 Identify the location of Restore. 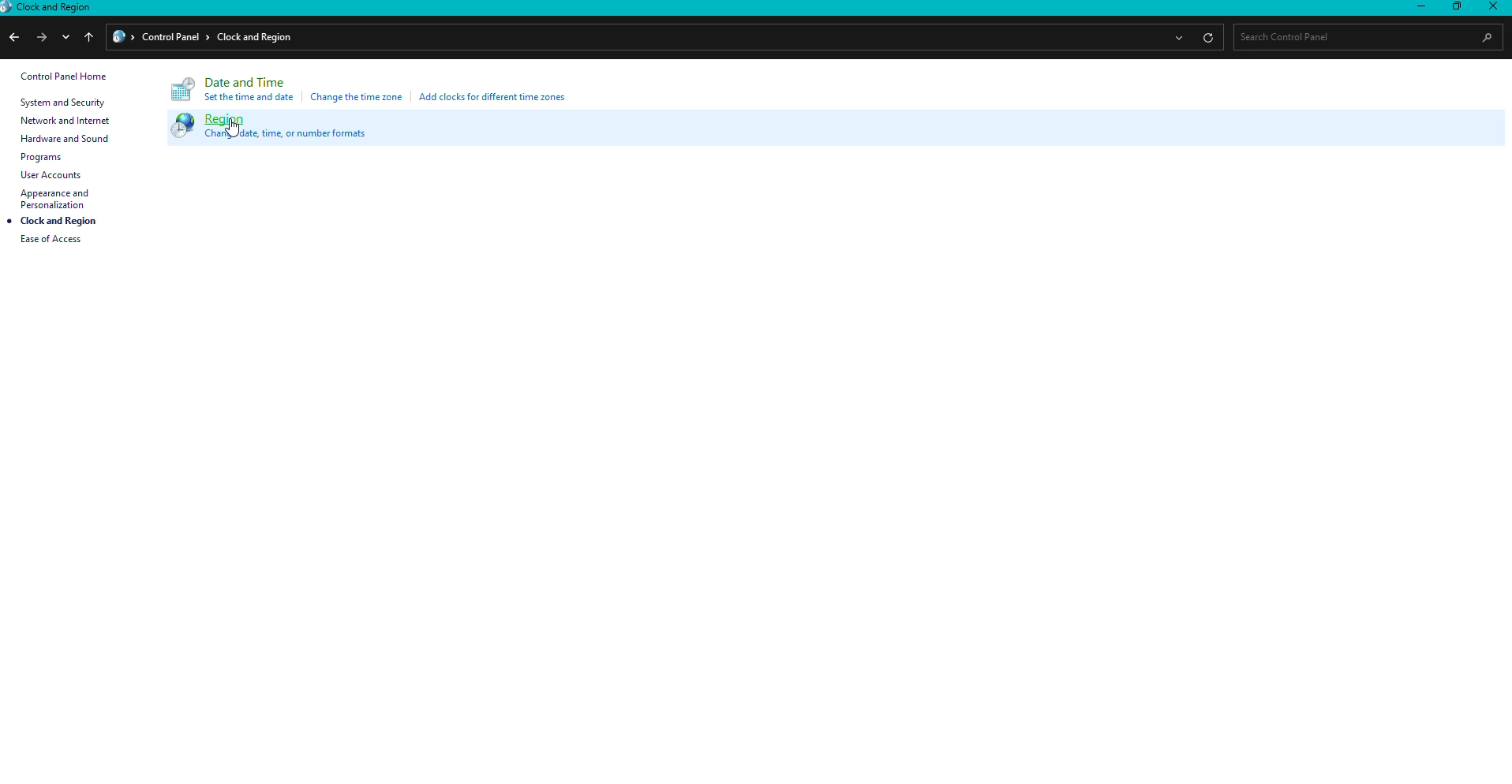
(1454, 7).